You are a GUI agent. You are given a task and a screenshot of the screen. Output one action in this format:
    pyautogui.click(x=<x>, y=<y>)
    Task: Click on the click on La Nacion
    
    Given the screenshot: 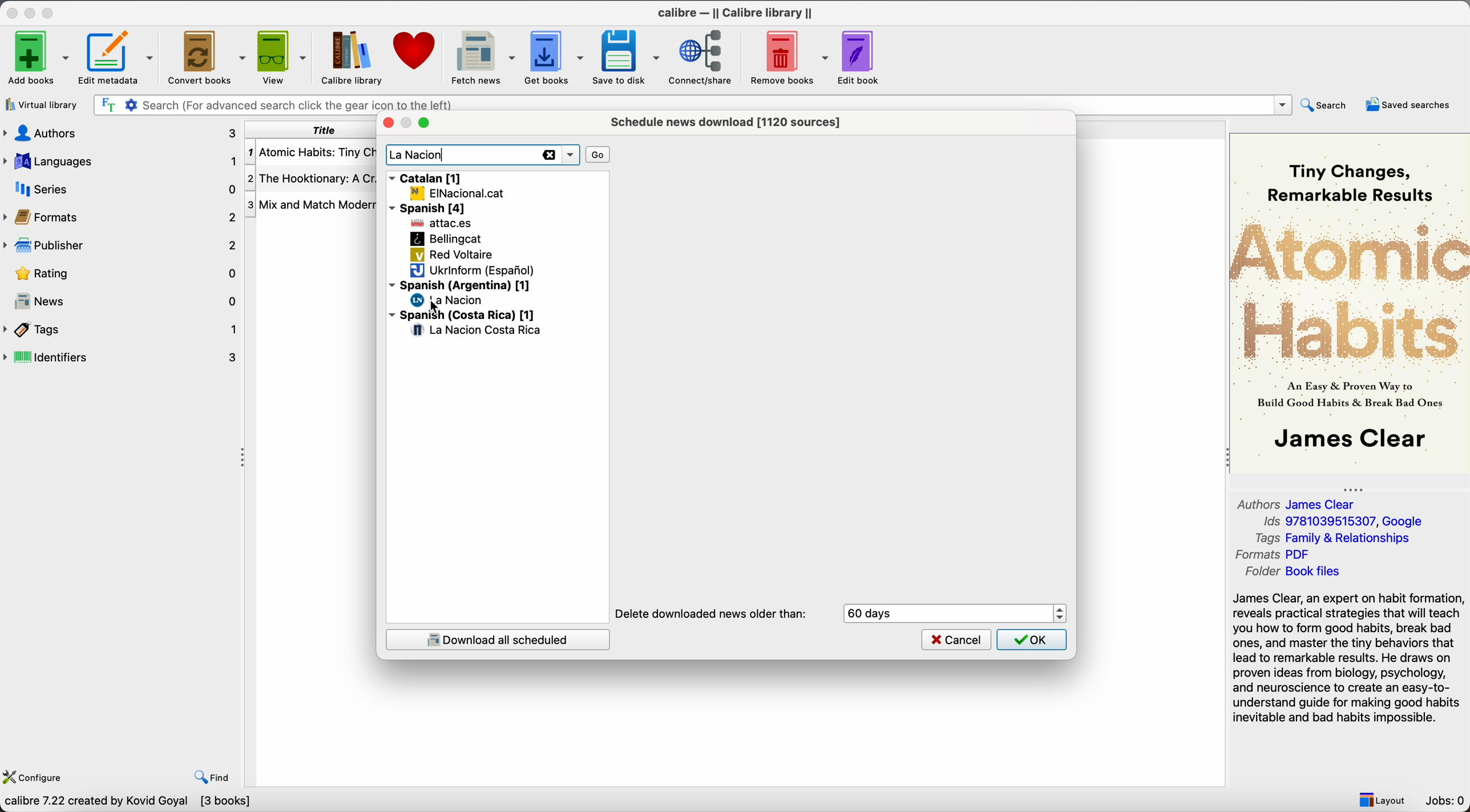 What is the action you would take?
    pyautogui.click(x=449, y=300)
    